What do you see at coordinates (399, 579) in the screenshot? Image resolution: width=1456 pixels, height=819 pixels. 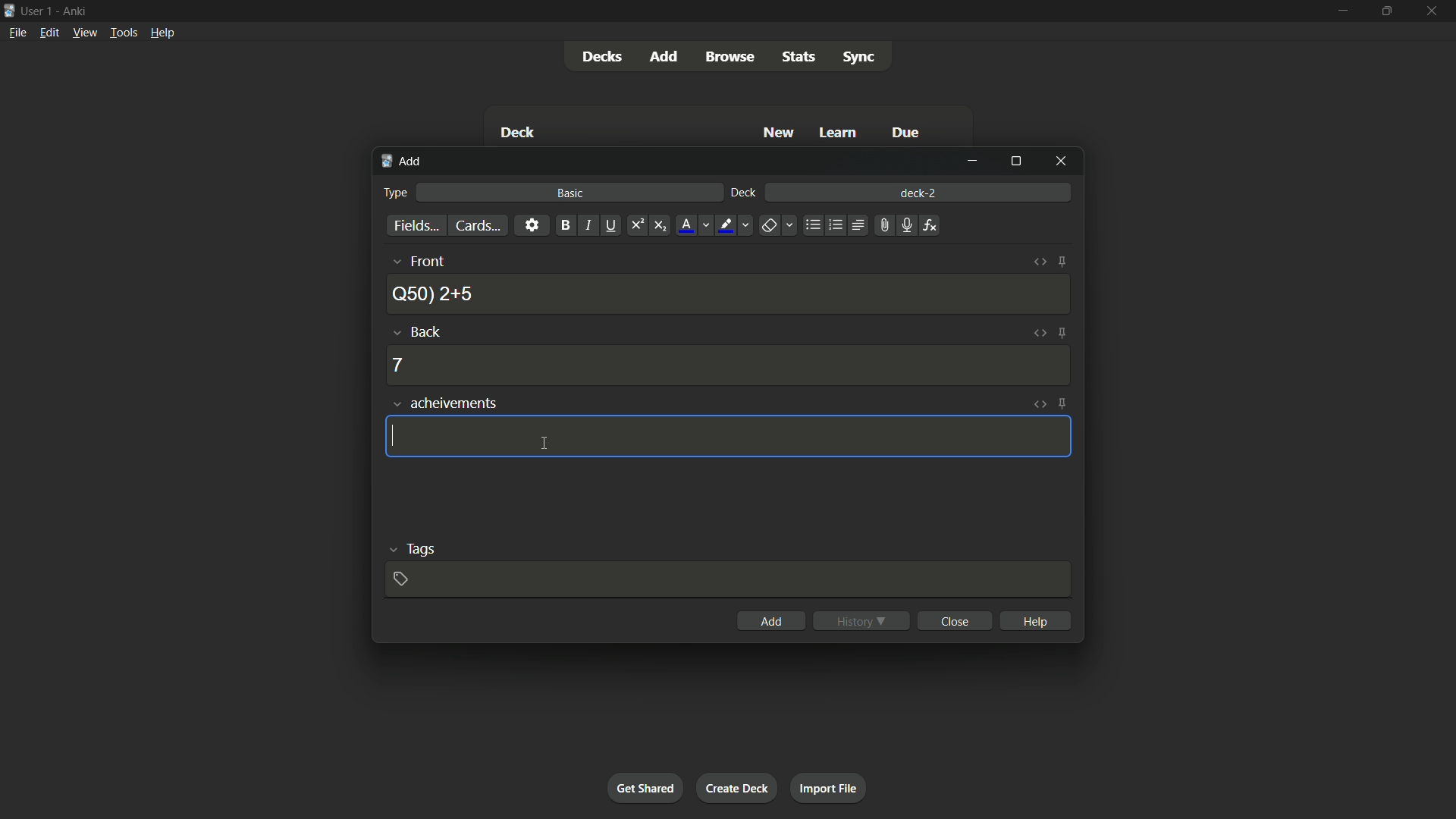 I see `add tag` at bounding box center [399, 579].